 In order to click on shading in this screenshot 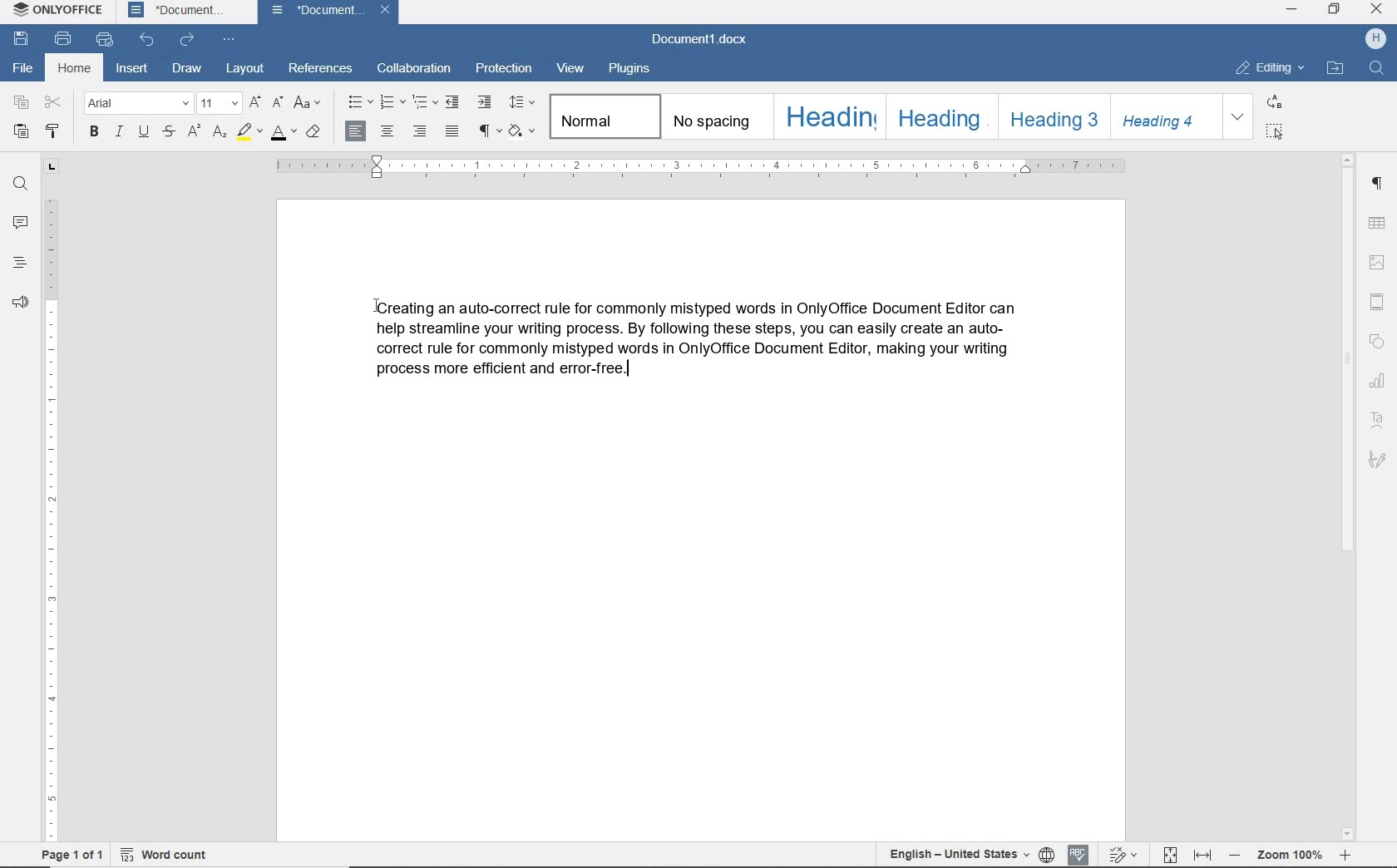, I will do `click(521, 131)`.